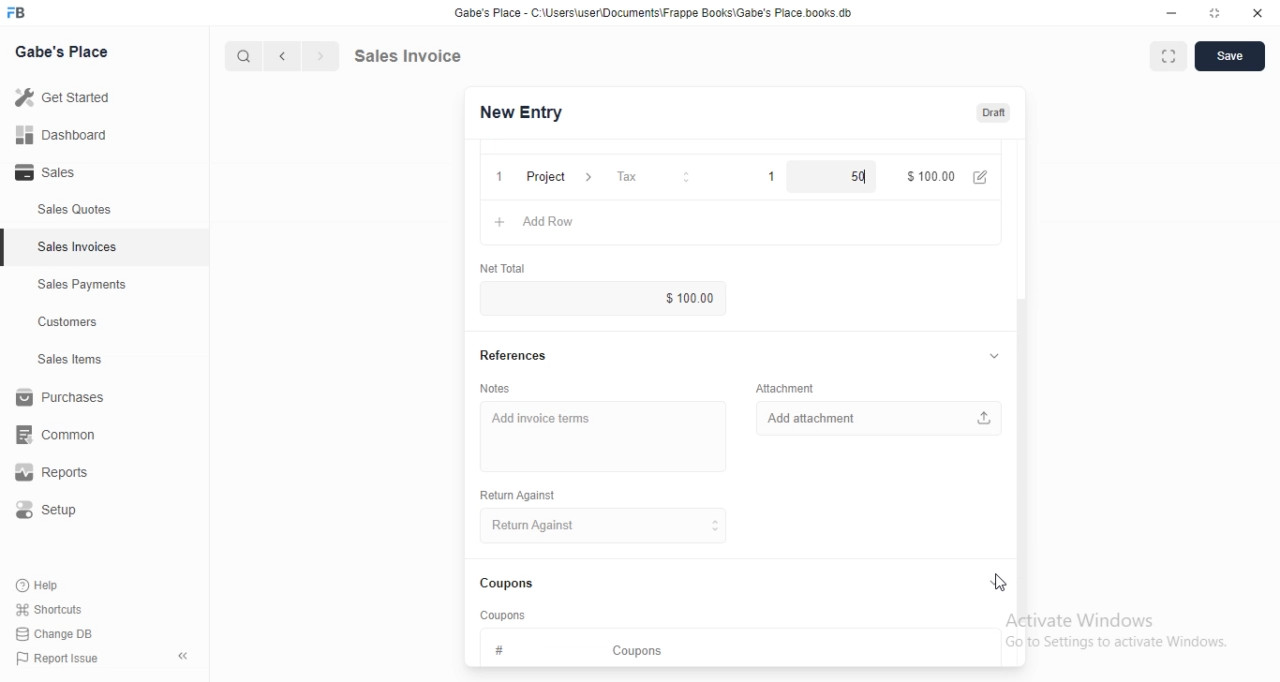 Image resolution: width=1280 pixels, height=682 pixels. Describe the element at coordinates (69, 141) in the screenshot. I see `all Dashboard` at that location.